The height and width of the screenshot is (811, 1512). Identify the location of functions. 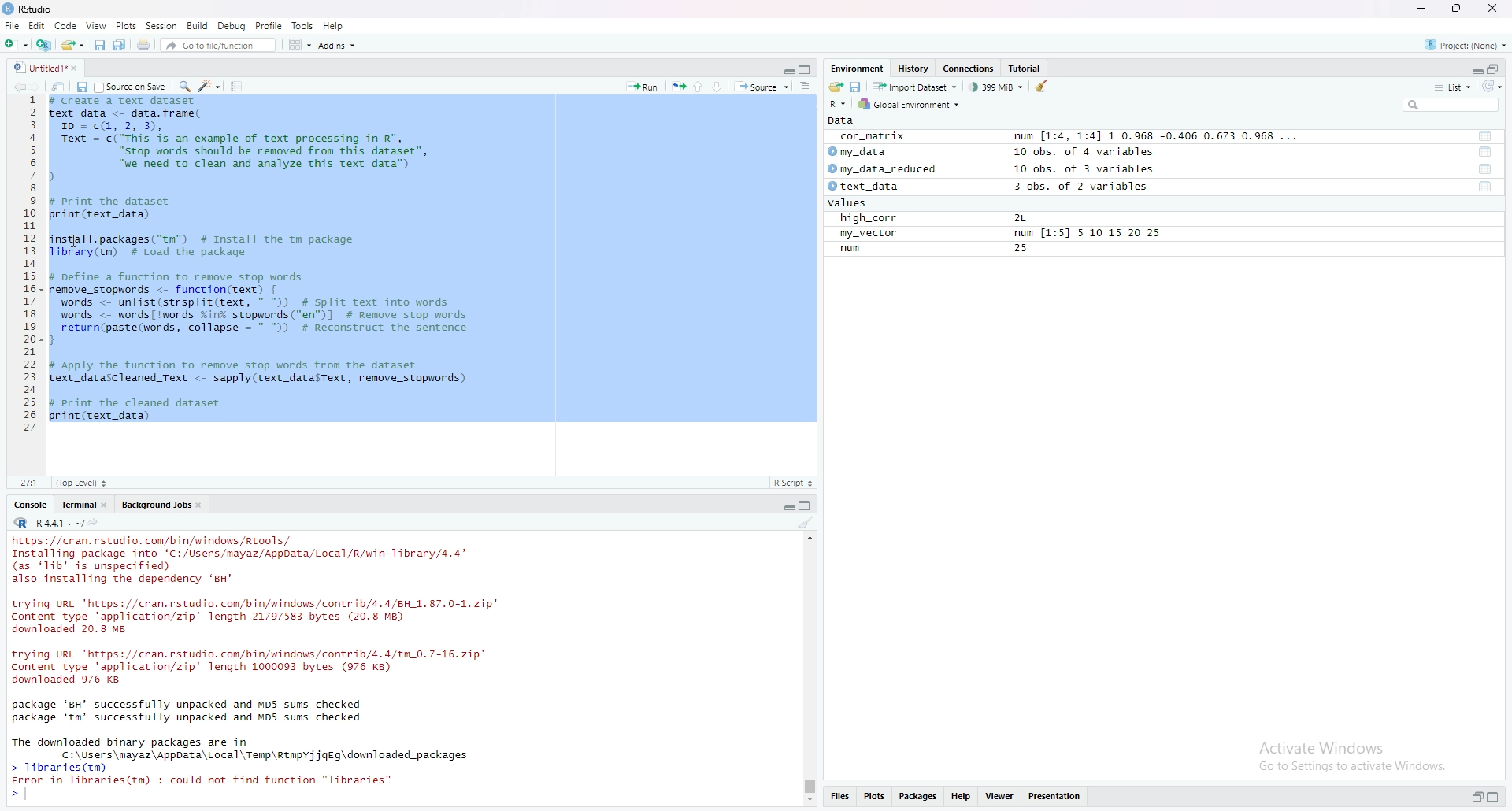
(1484, 137).